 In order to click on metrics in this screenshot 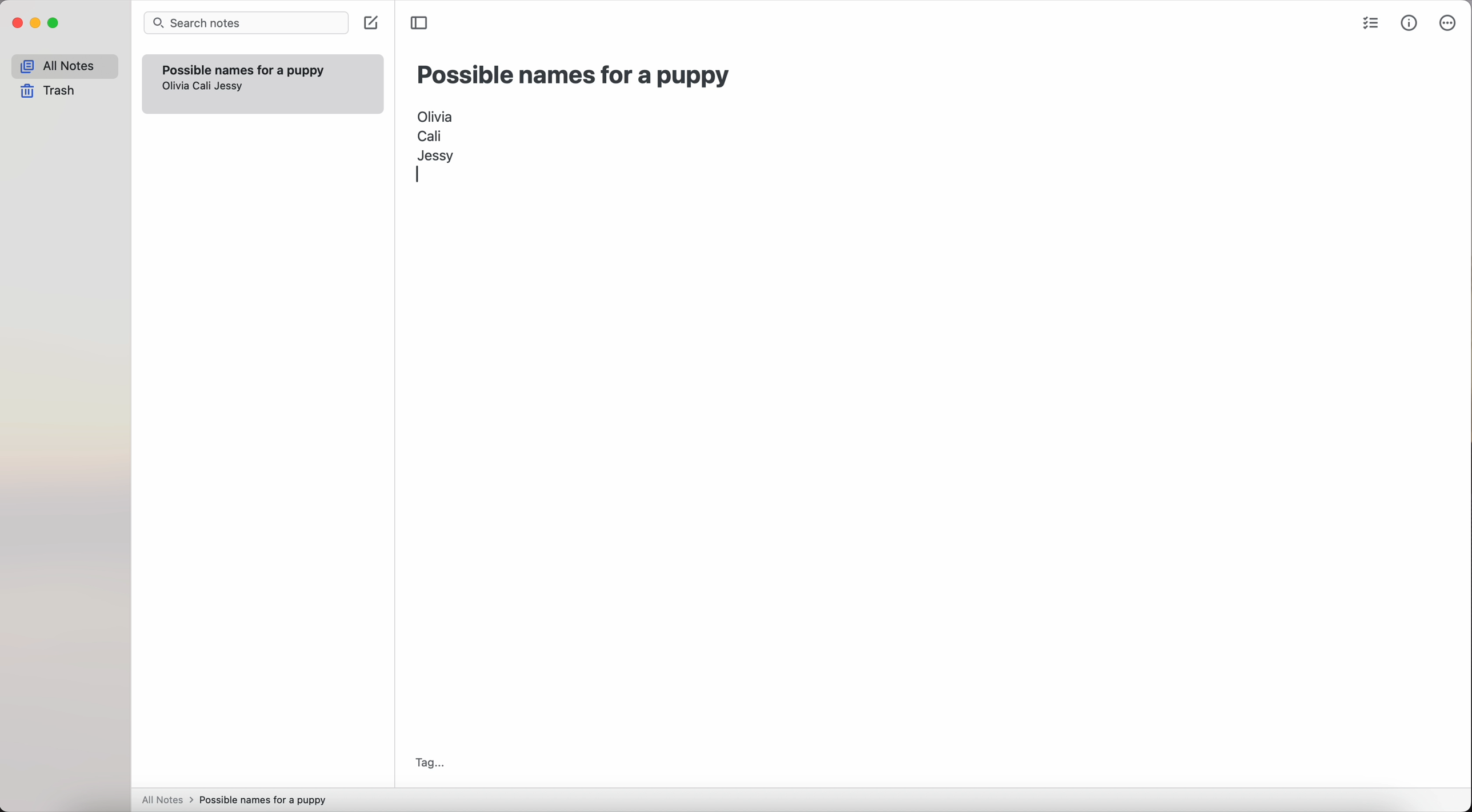, I will do `click(1410, 23)`.